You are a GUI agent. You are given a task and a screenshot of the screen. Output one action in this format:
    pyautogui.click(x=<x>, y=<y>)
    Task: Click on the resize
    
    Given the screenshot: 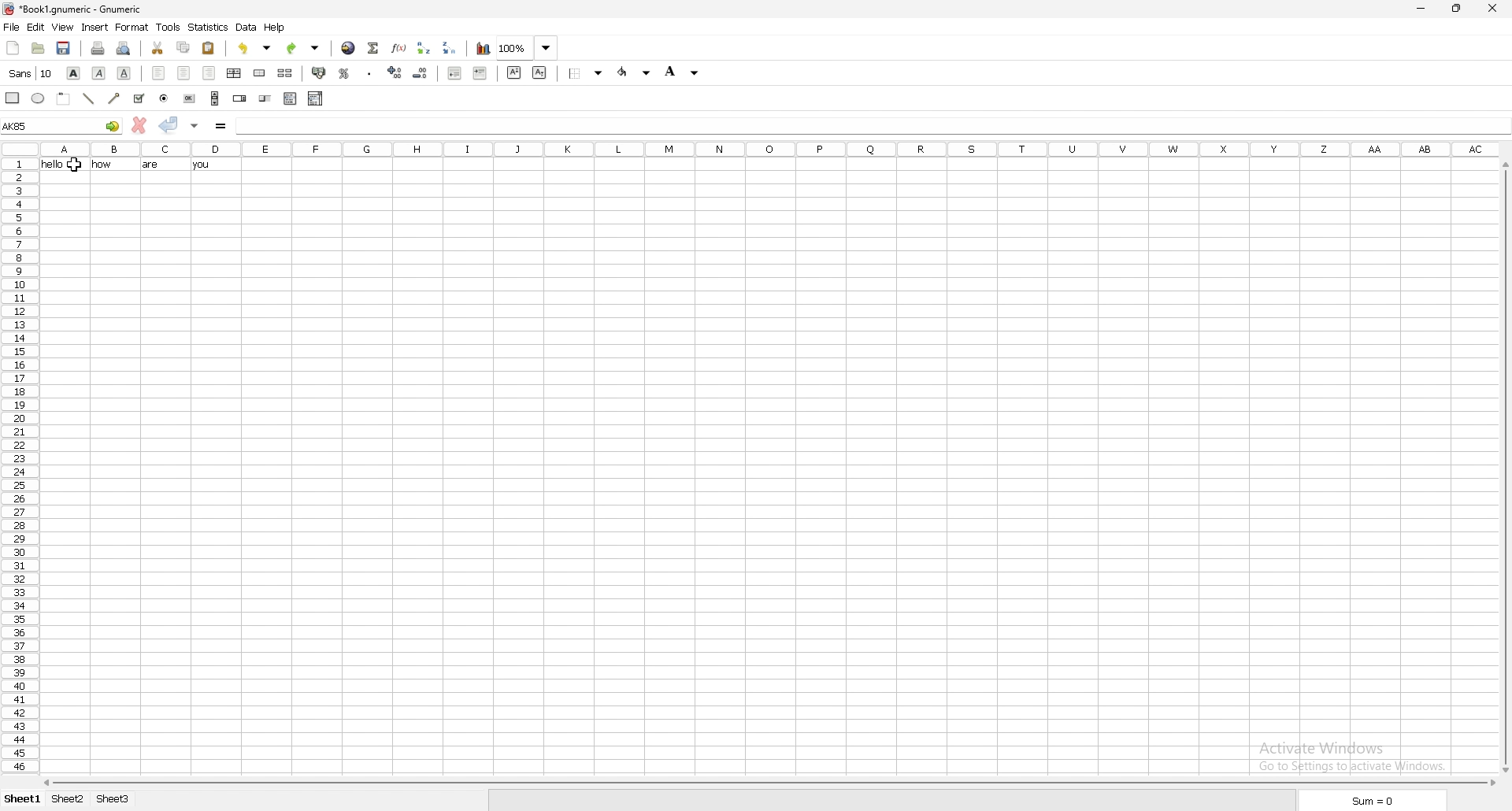 What is the action you would take?
    pyautogui.click(x=1459, y=8)
    